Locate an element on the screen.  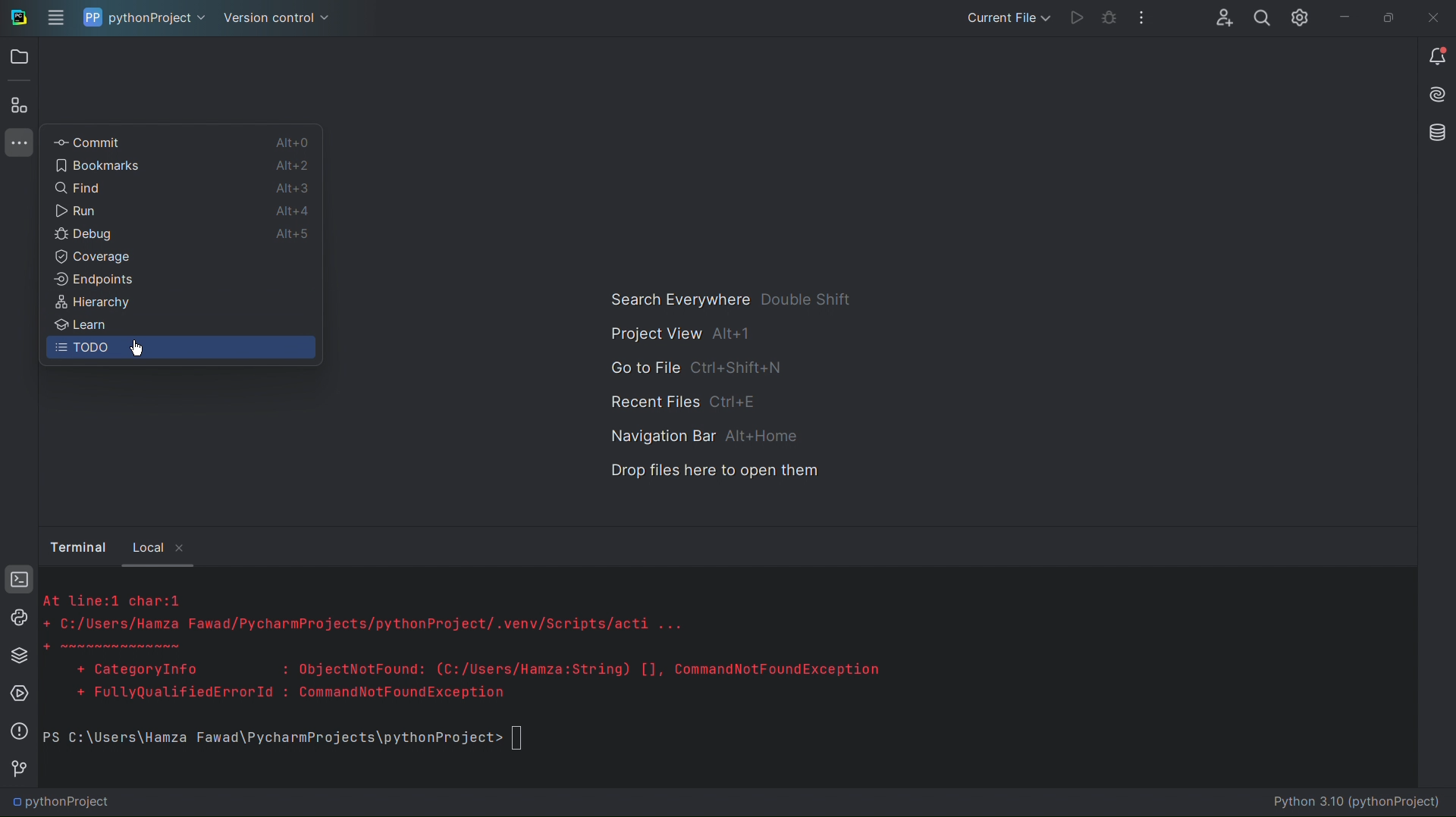
Go to File is located at coordinates (698, 369).